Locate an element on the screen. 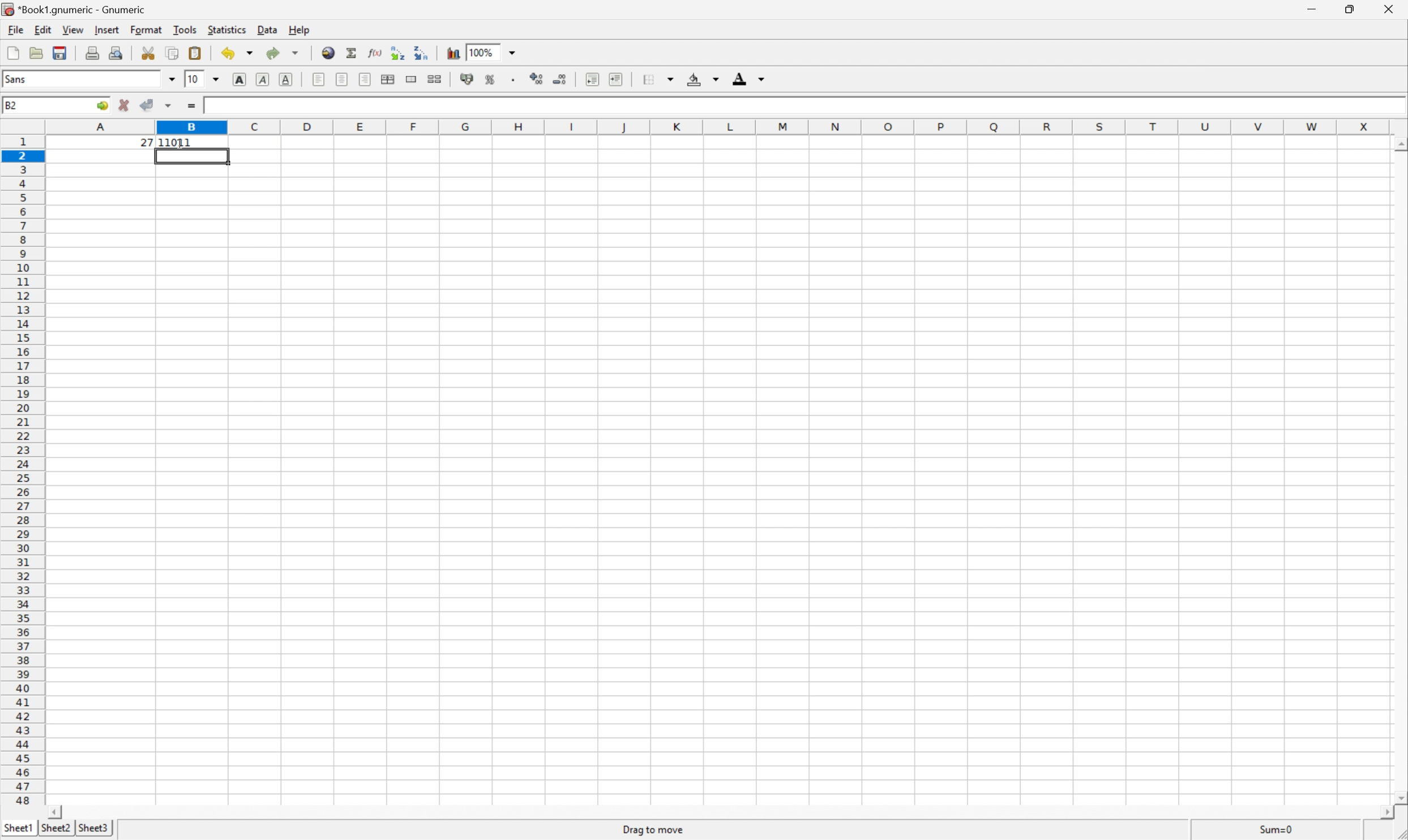 The image size is (1408, 840). Enter formula is located at coordinates (194, 107).